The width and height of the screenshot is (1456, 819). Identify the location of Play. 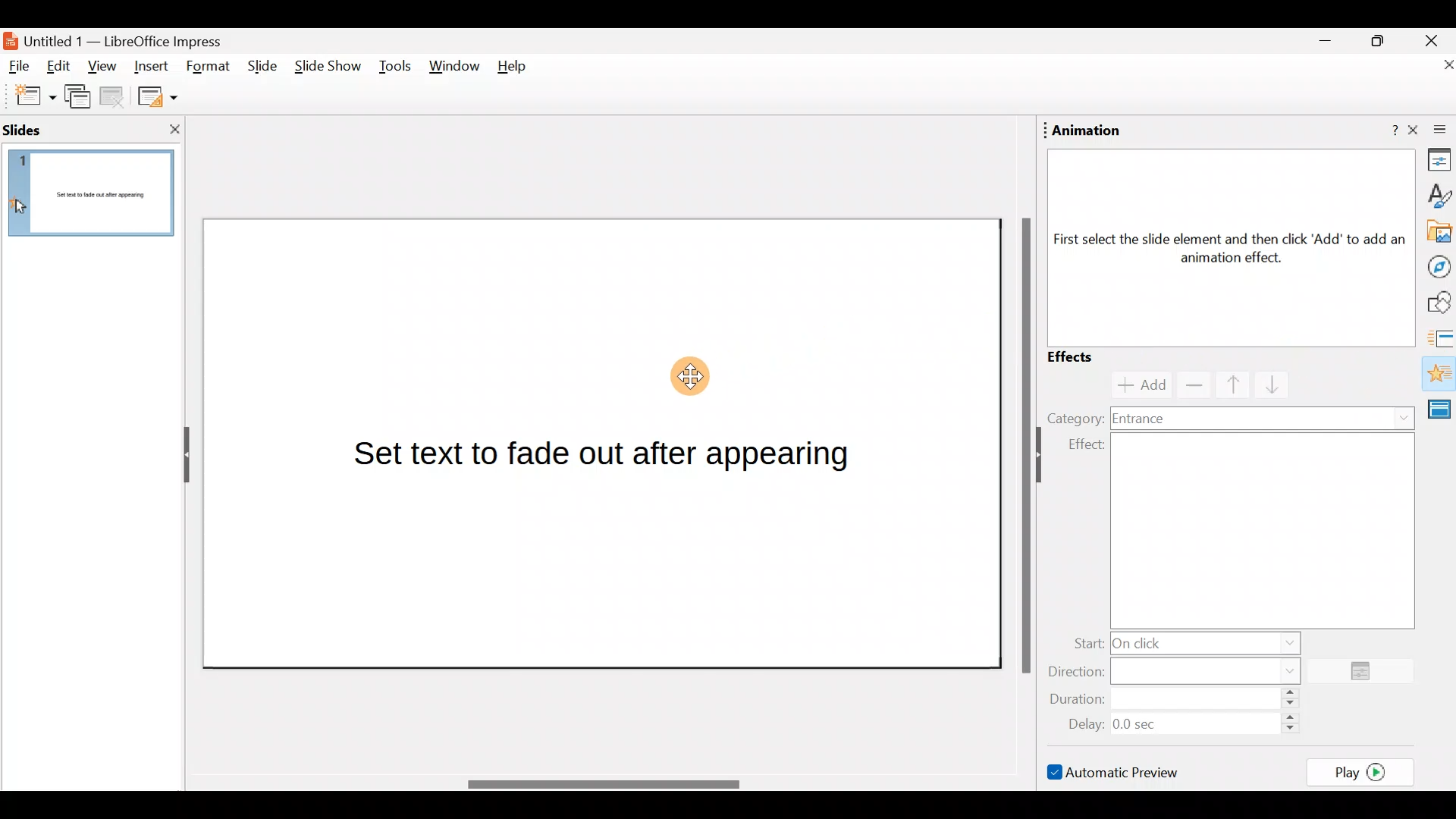
(1365, 771).